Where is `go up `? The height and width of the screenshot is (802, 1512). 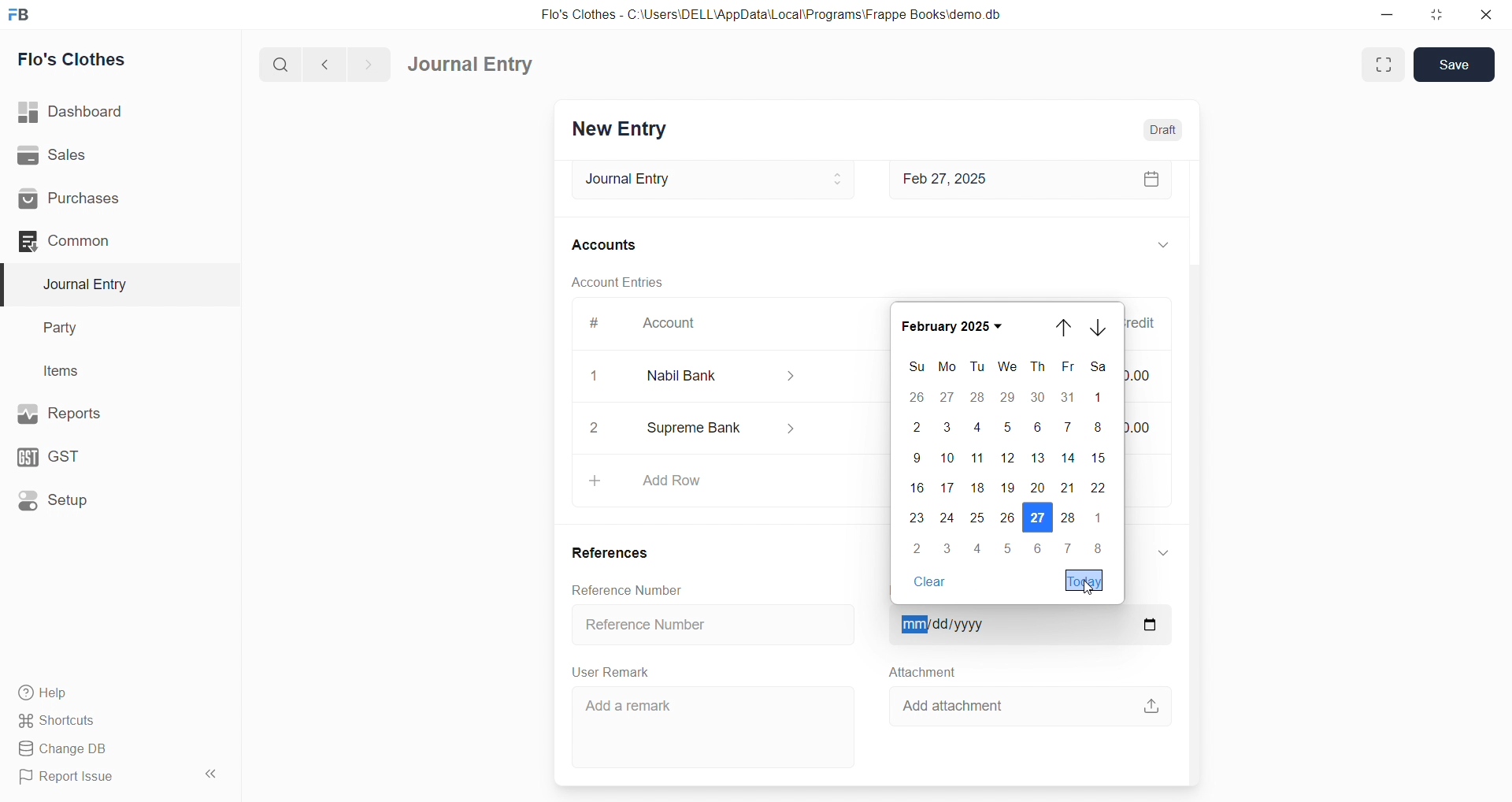
go up  is located at coordinates (1063, 328).